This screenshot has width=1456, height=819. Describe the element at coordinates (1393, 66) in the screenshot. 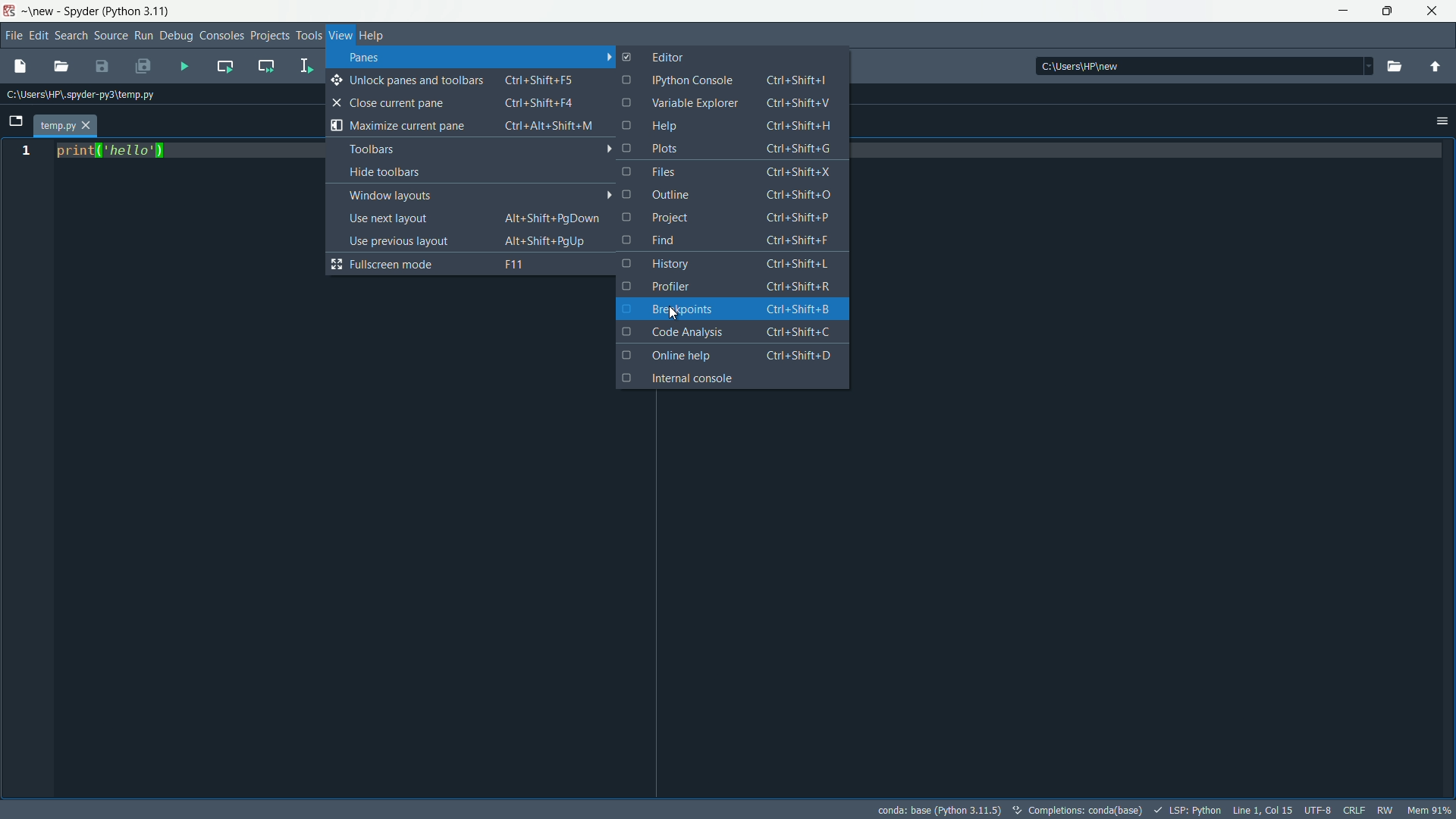

I see `browse directory` at that location.